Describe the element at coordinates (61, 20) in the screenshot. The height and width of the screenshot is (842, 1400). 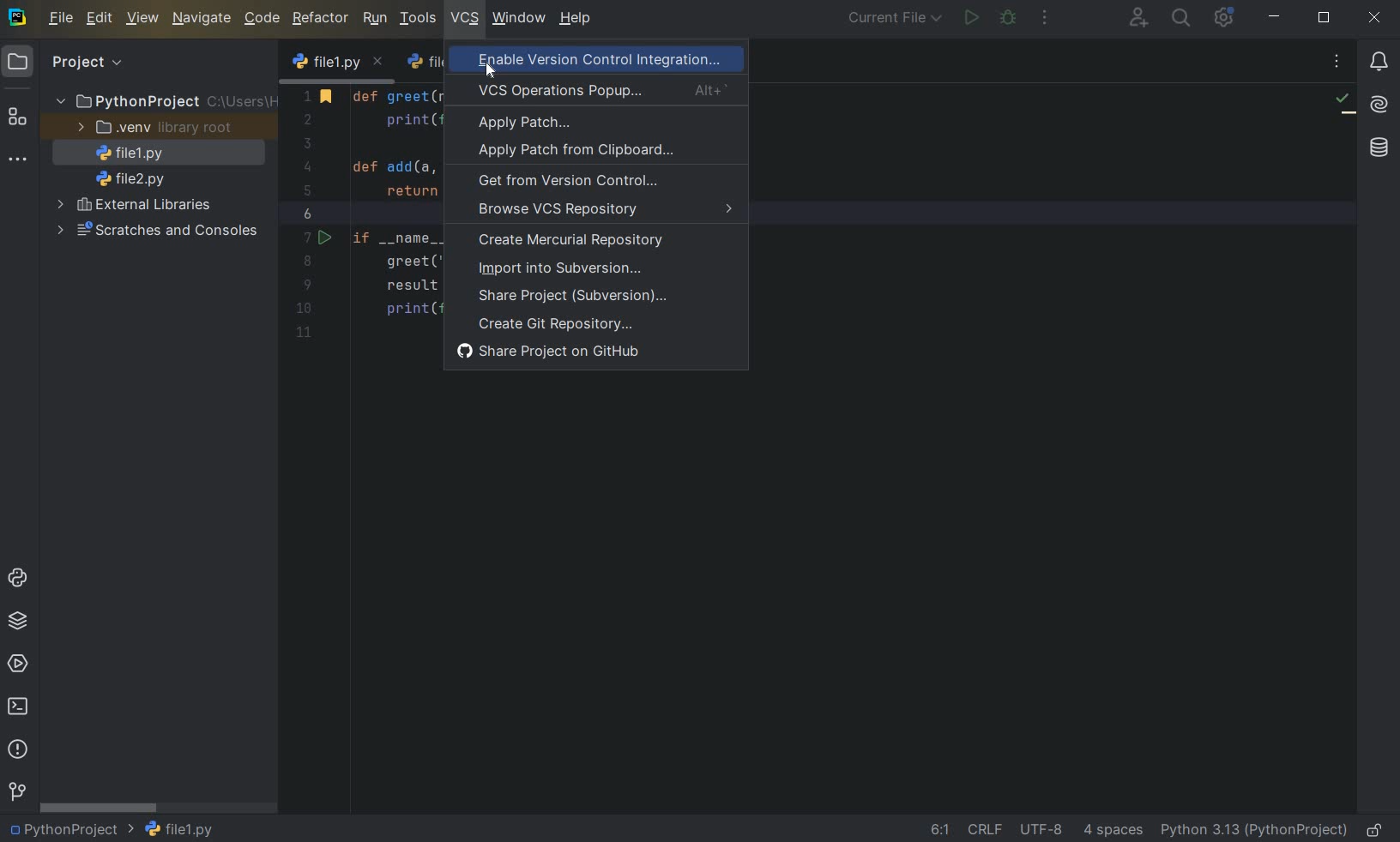
I see `file` at that location.